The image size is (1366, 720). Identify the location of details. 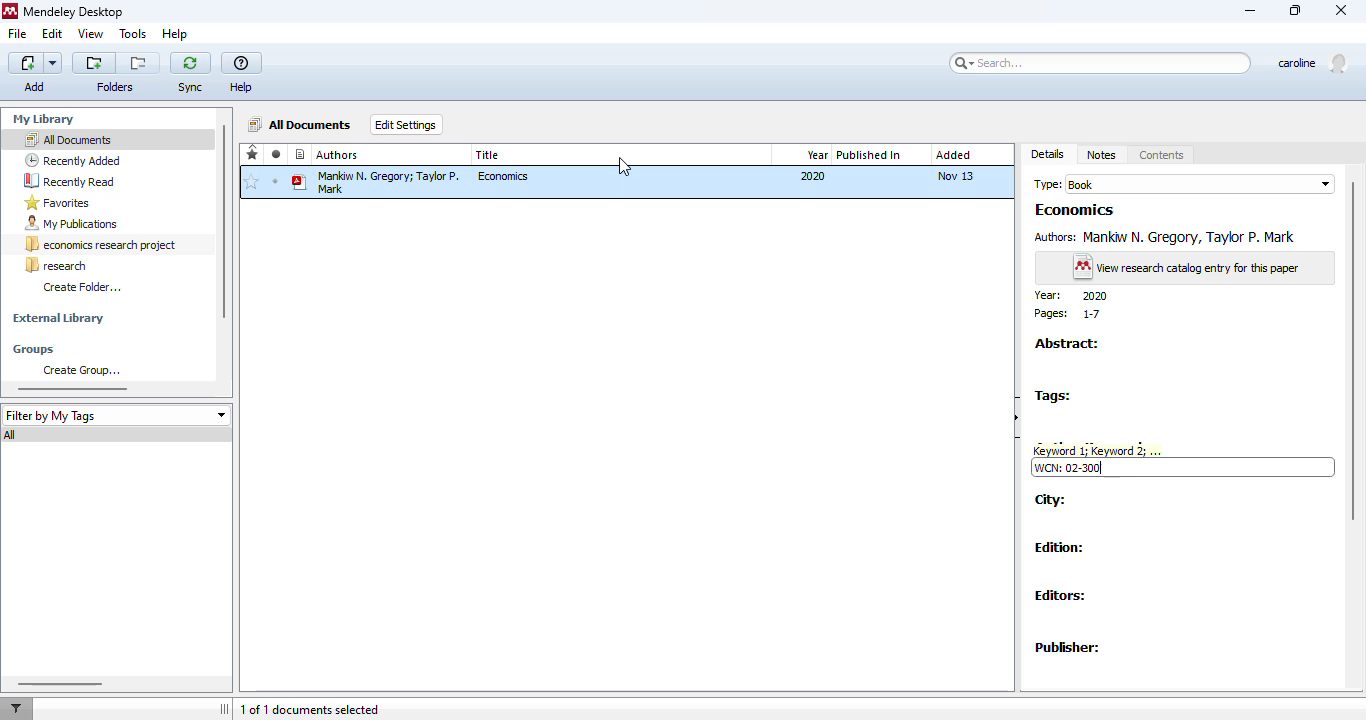
(1048, 154).